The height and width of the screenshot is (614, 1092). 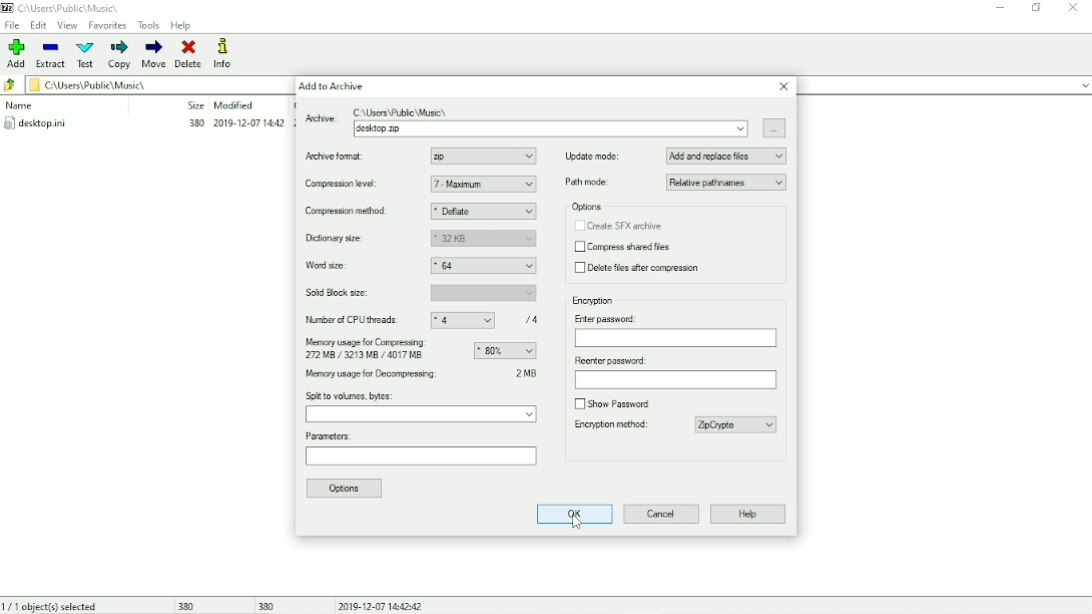 I want to click on Parameters, so click(x=421, y=450).